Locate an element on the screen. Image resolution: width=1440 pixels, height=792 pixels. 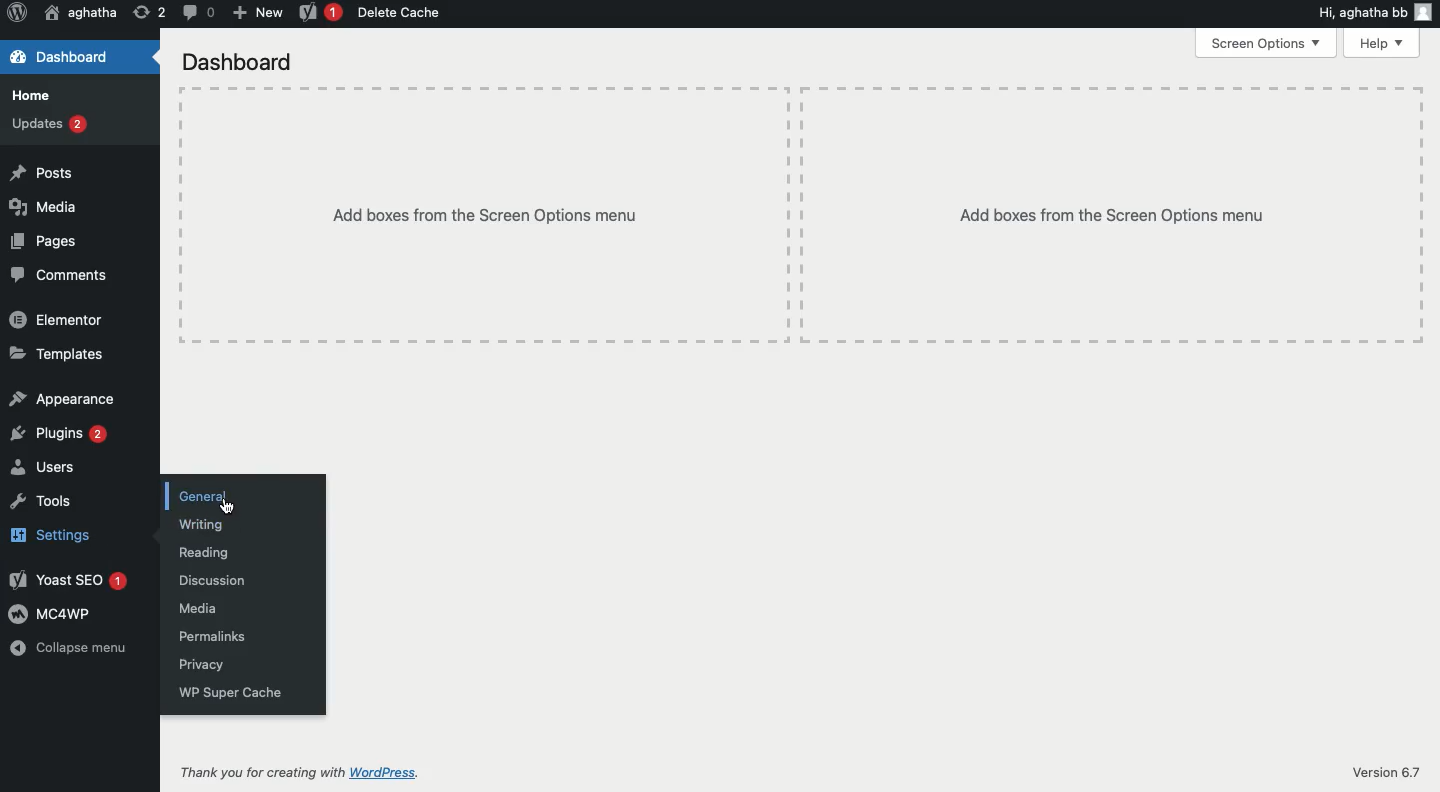
Delete cache is located at coordinates (396, 12).